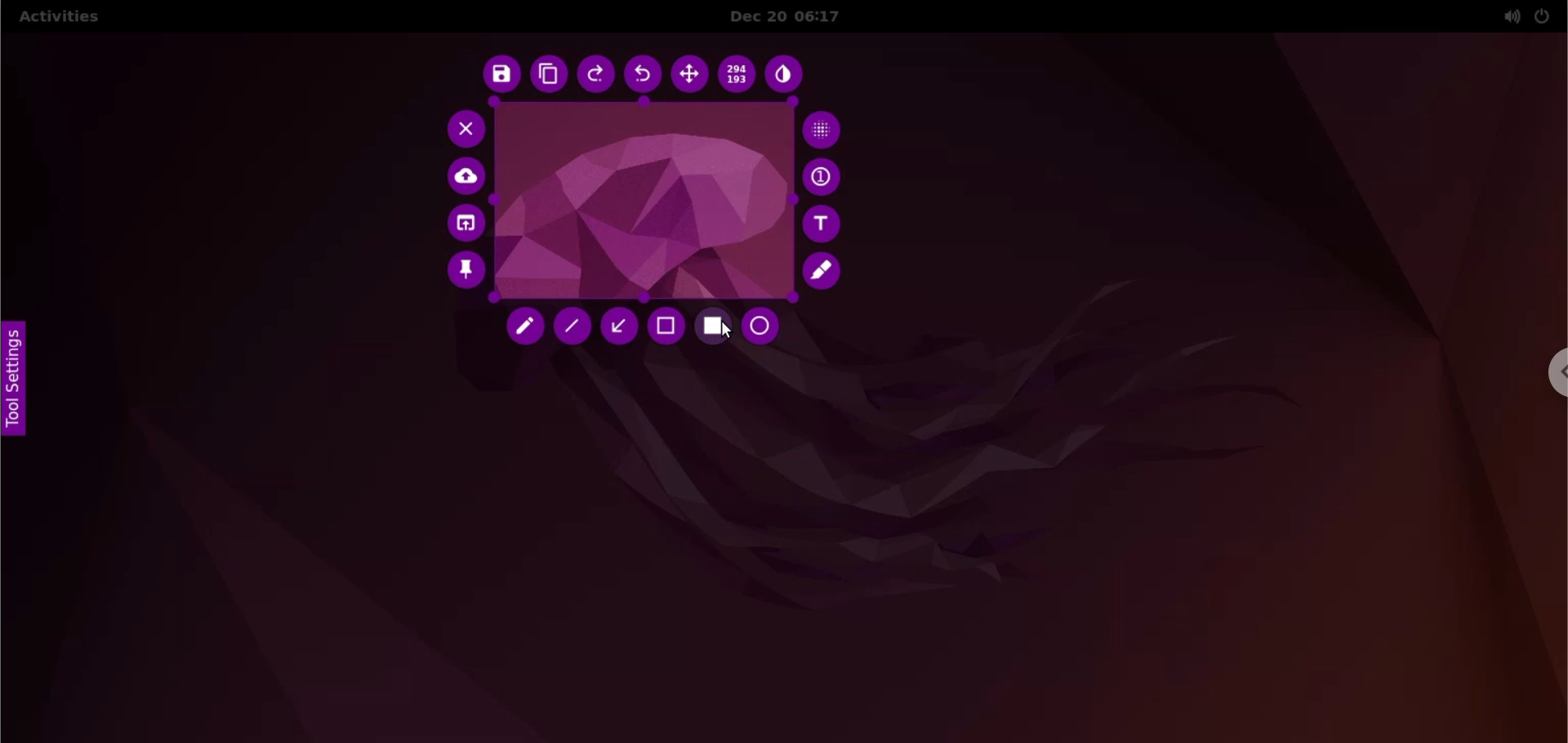  What do you see at coordinates (597, 76) in the screenshot?
I see `redo` at bounding box center [597, 76].